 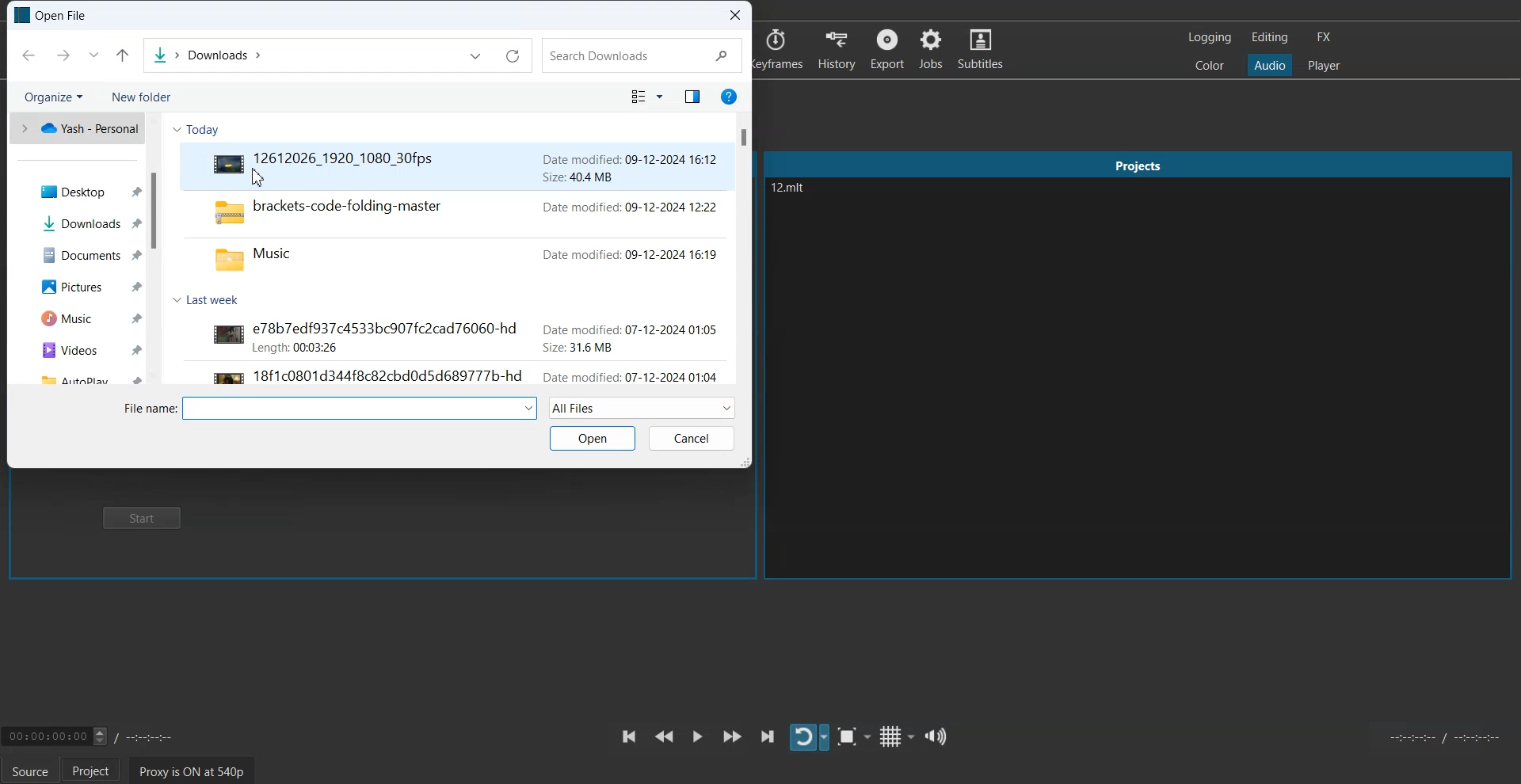 What do you see at coordinates (930, 49) in the screenshot?
I see `Jobs` at bounding box center [930, 49].